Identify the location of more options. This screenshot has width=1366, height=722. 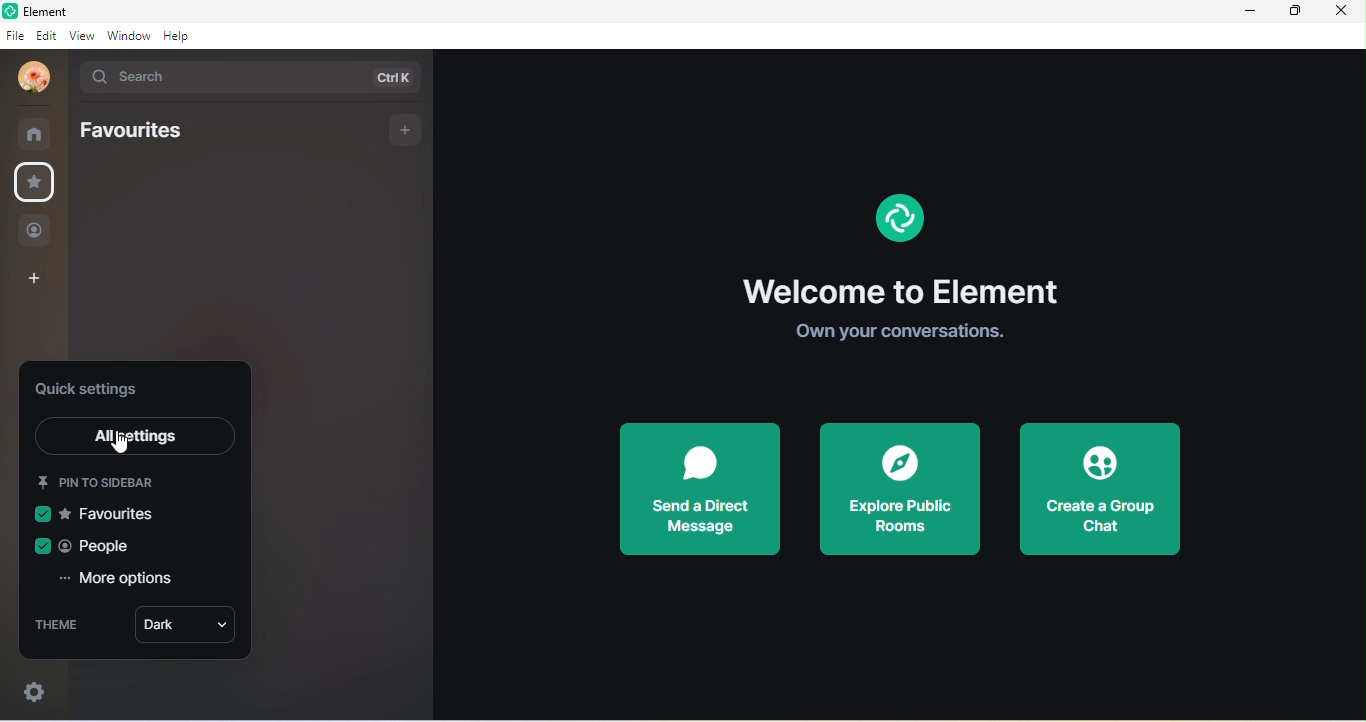
(126, 576).